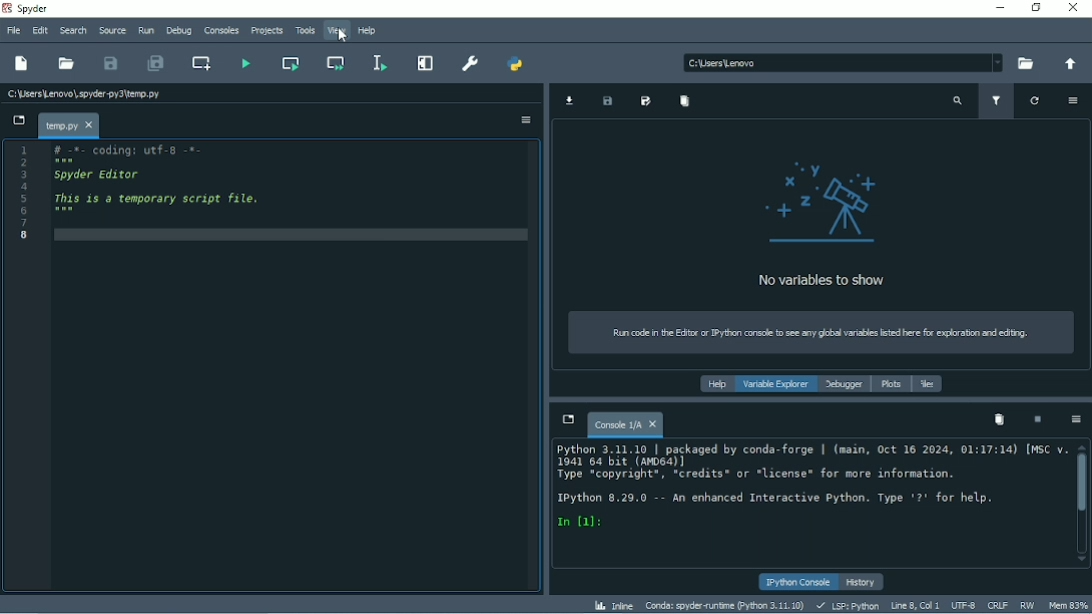 The width and height of the screenshot is (1092, 614). What do you see at coordinates (1068, 606) in the screenshot?
I see `Mem` at bounding box center [1068, 606].